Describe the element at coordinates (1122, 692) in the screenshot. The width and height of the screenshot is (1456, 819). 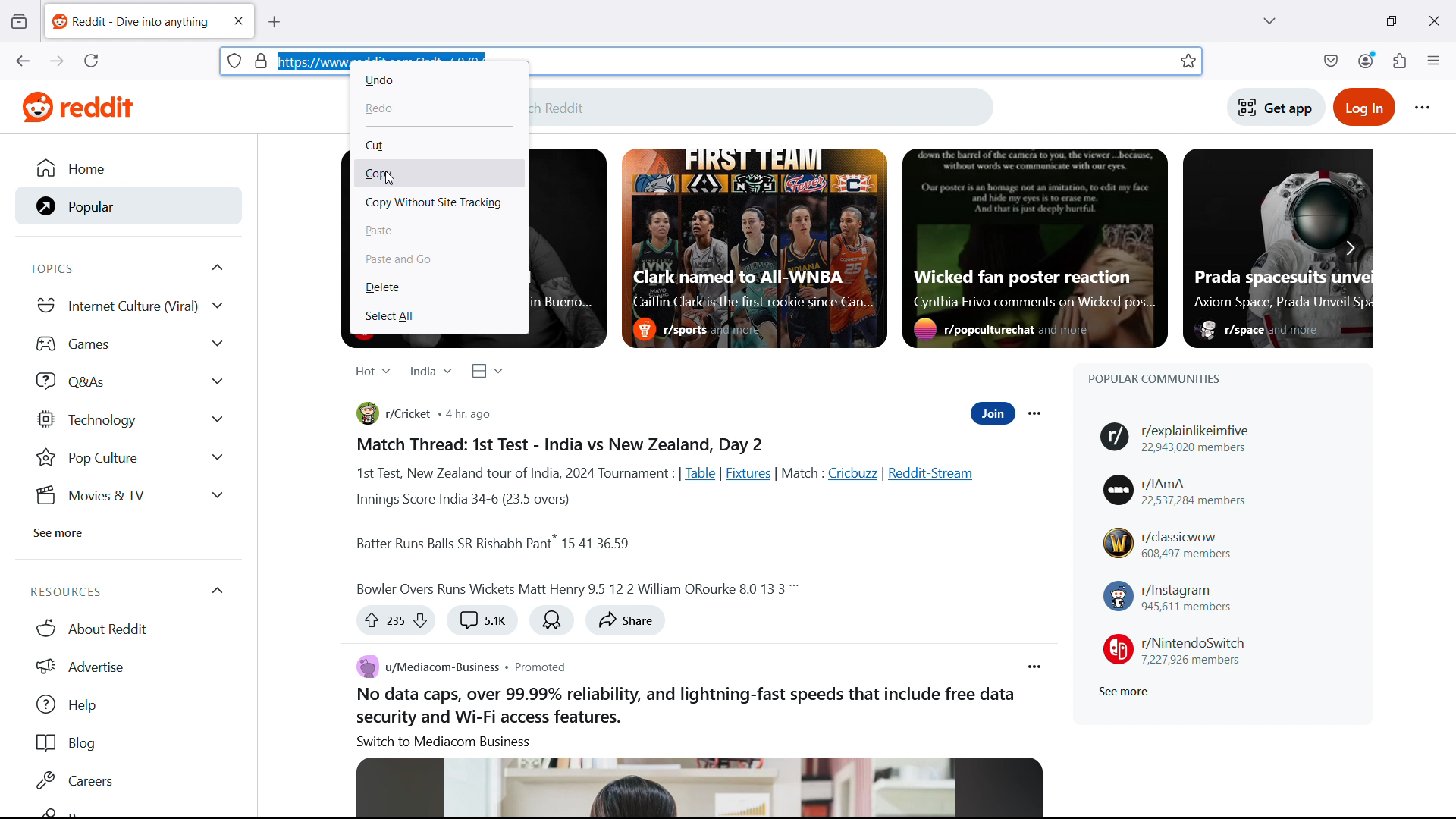
I see `See more` at that location.